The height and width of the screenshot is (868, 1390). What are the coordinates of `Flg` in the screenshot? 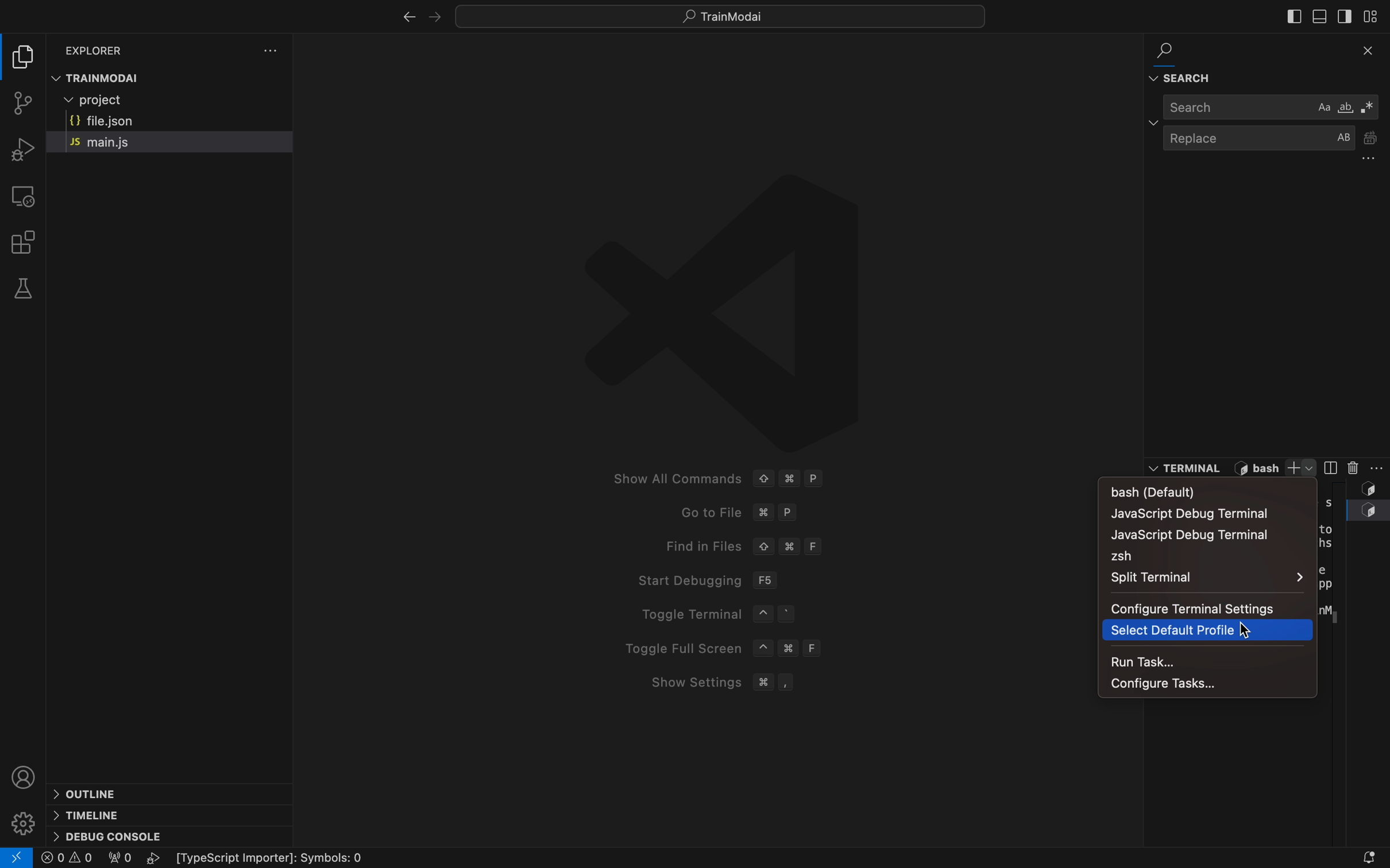 It's located at (118, 859).